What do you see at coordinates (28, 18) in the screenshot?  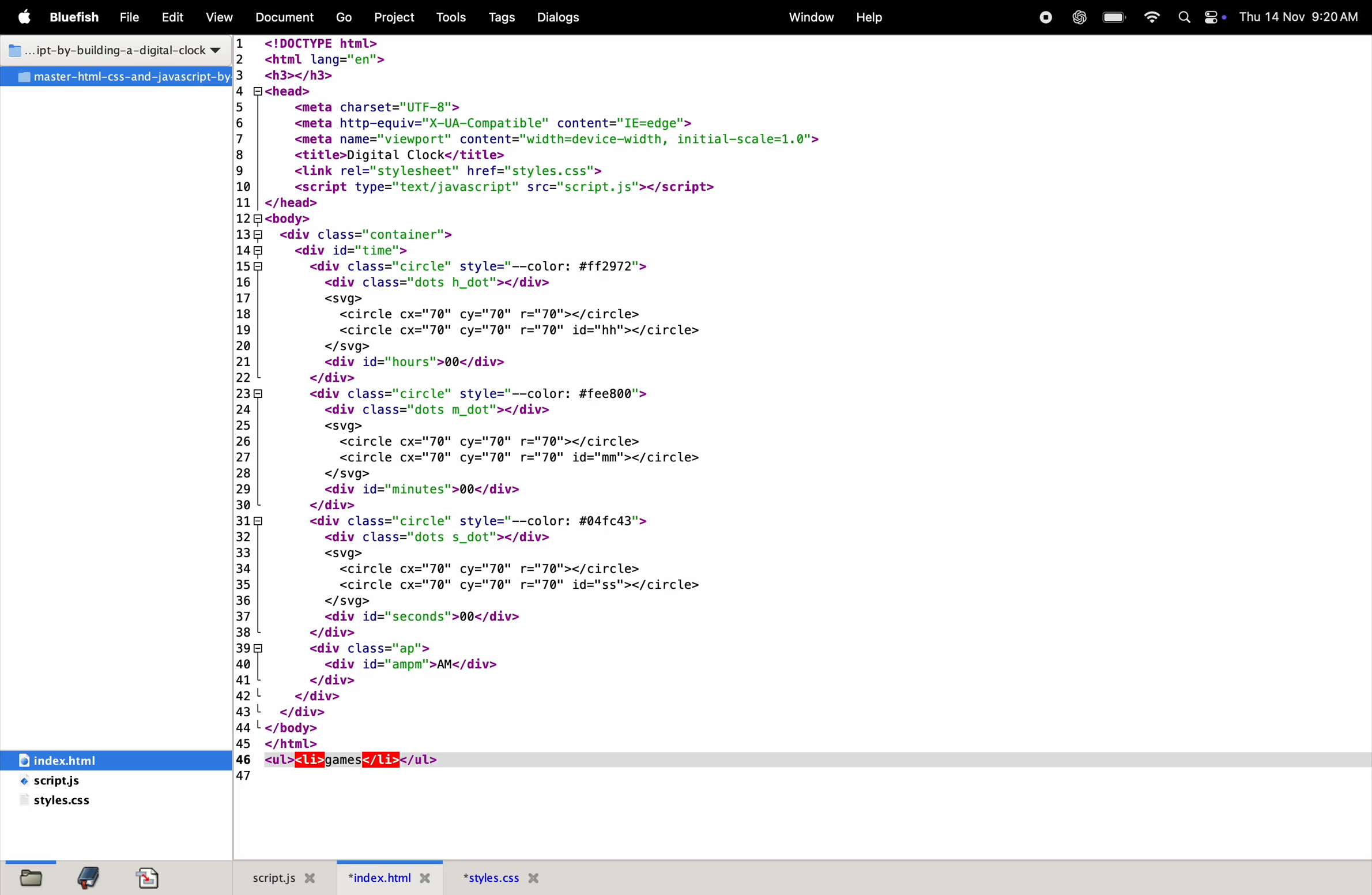 I see `apple menu` at bounding box center [28, 18].